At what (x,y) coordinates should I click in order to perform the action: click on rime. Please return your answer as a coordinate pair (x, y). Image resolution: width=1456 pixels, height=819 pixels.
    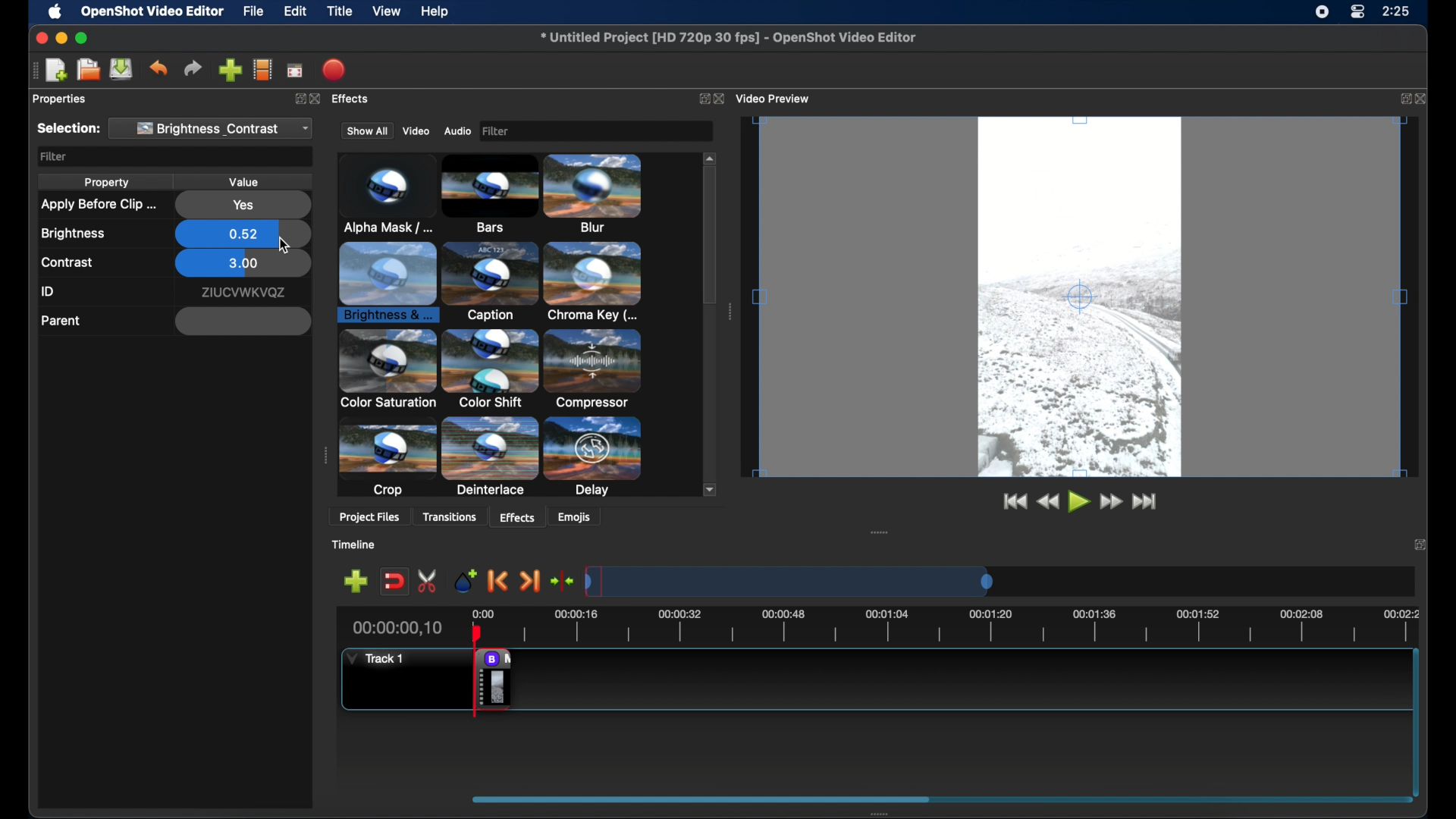
    Looking at the image, I should click on (1397, 13).